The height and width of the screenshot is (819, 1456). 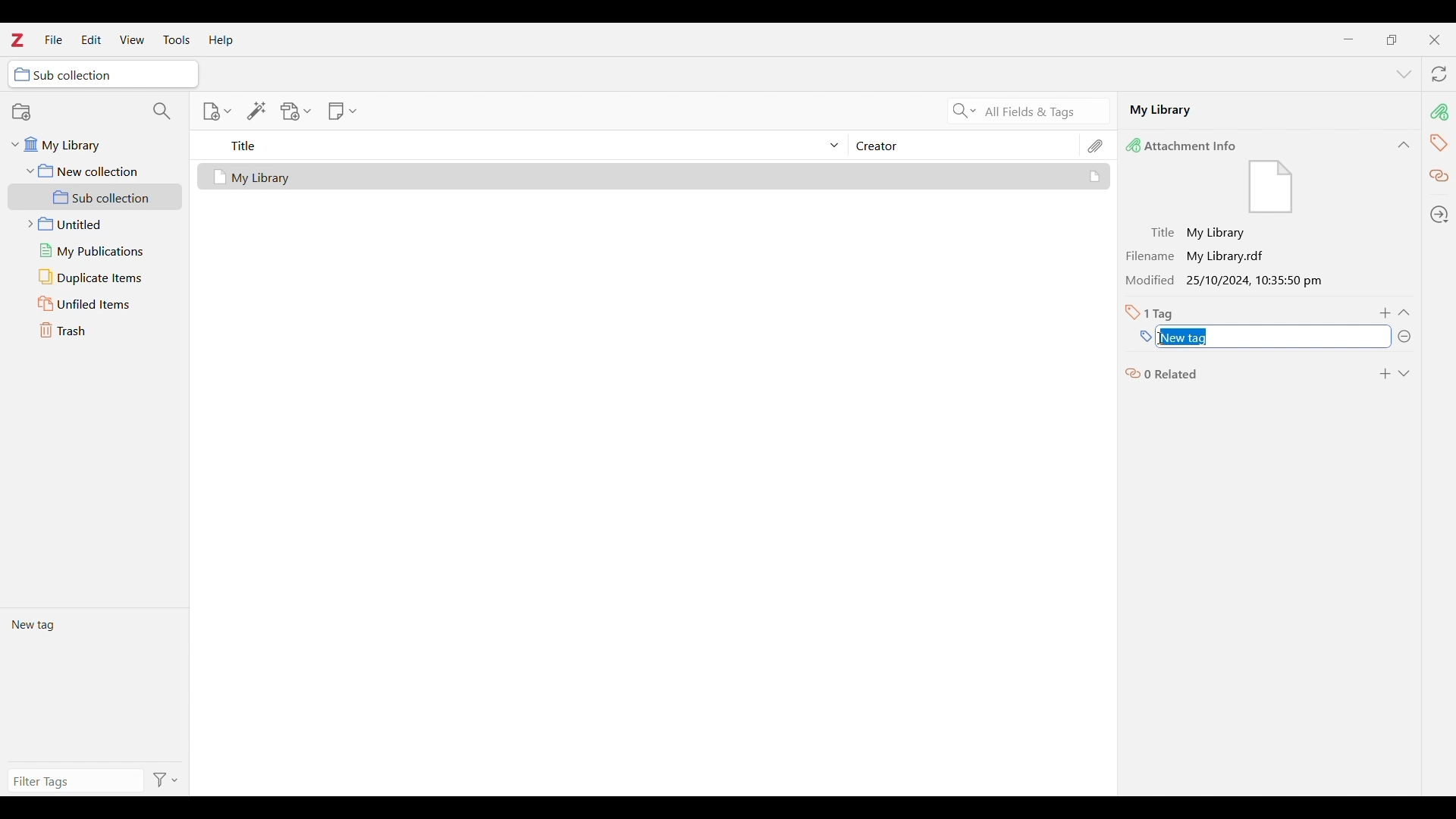 I want to click on Help menu, so click(x=221, y=40).